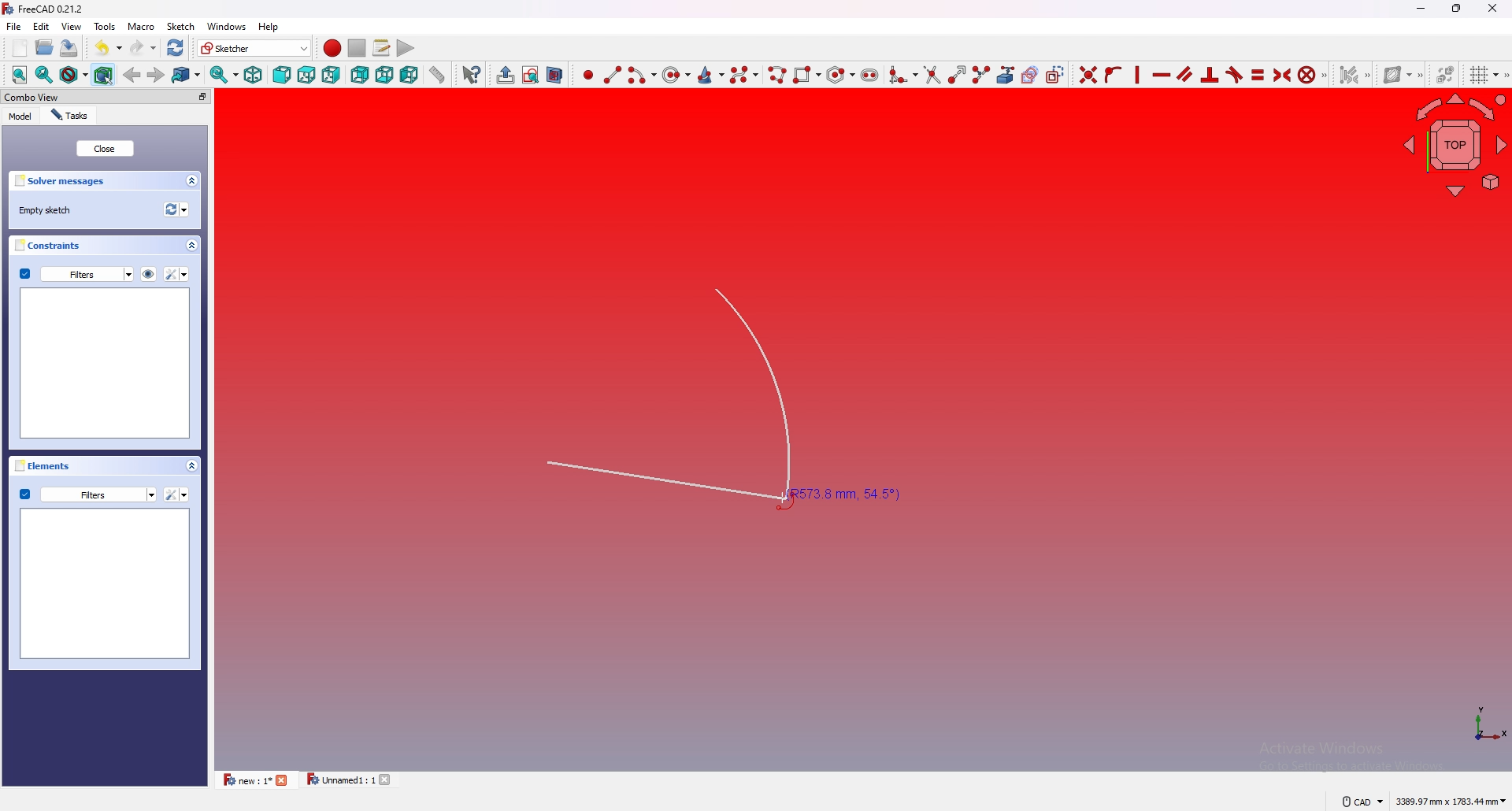  What do you see at coordinates (176, 209) in the screenshot?
I see `recomputation of active document` at bounding box center [176, 209].